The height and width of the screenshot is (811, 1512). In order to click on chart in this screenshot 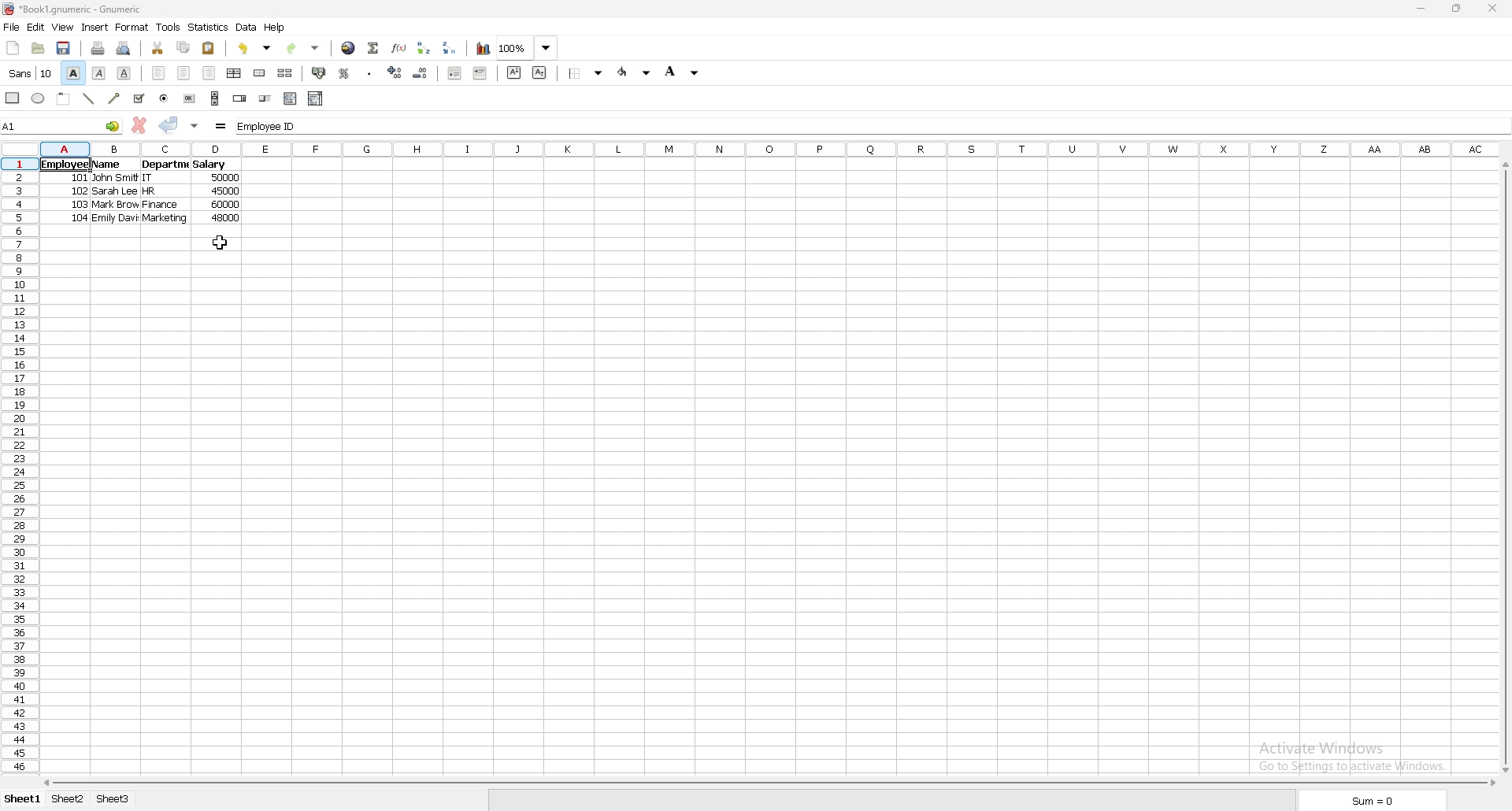, I will do `click(484, 49)`.